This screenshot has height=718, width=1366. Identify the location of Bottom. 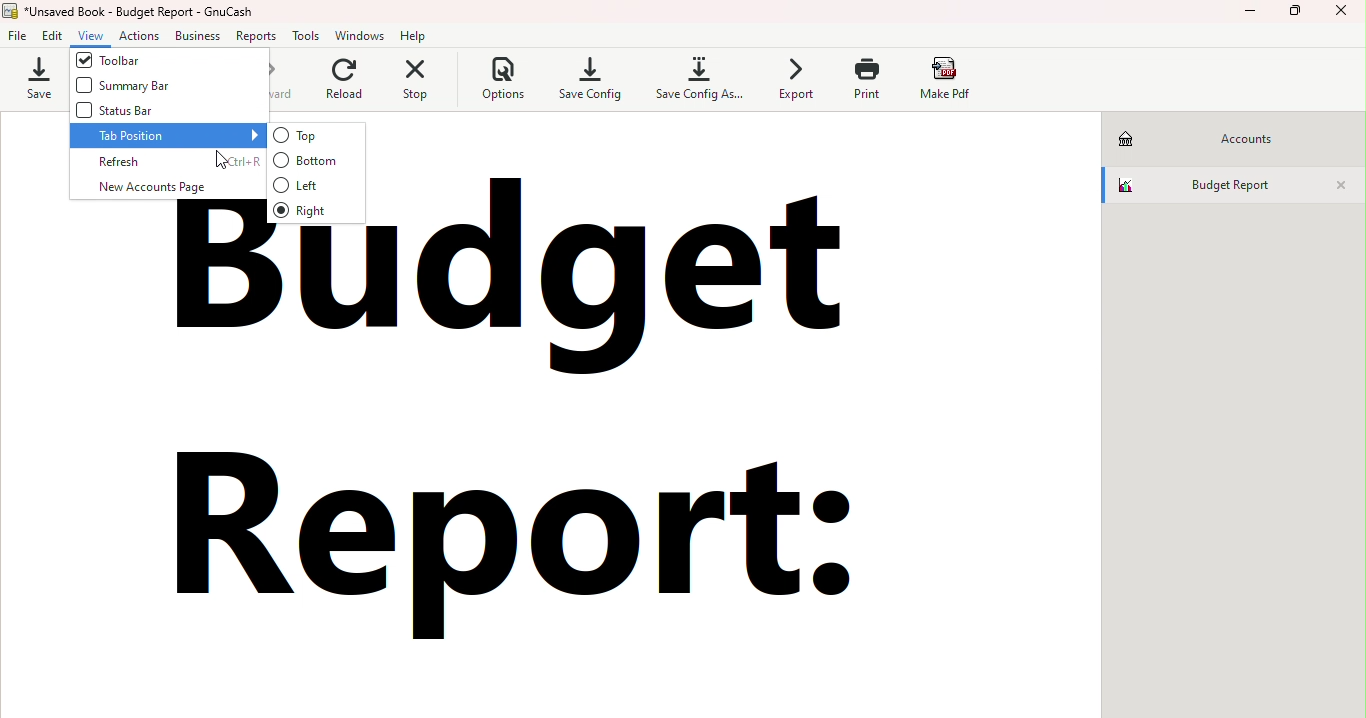
(320, 160).